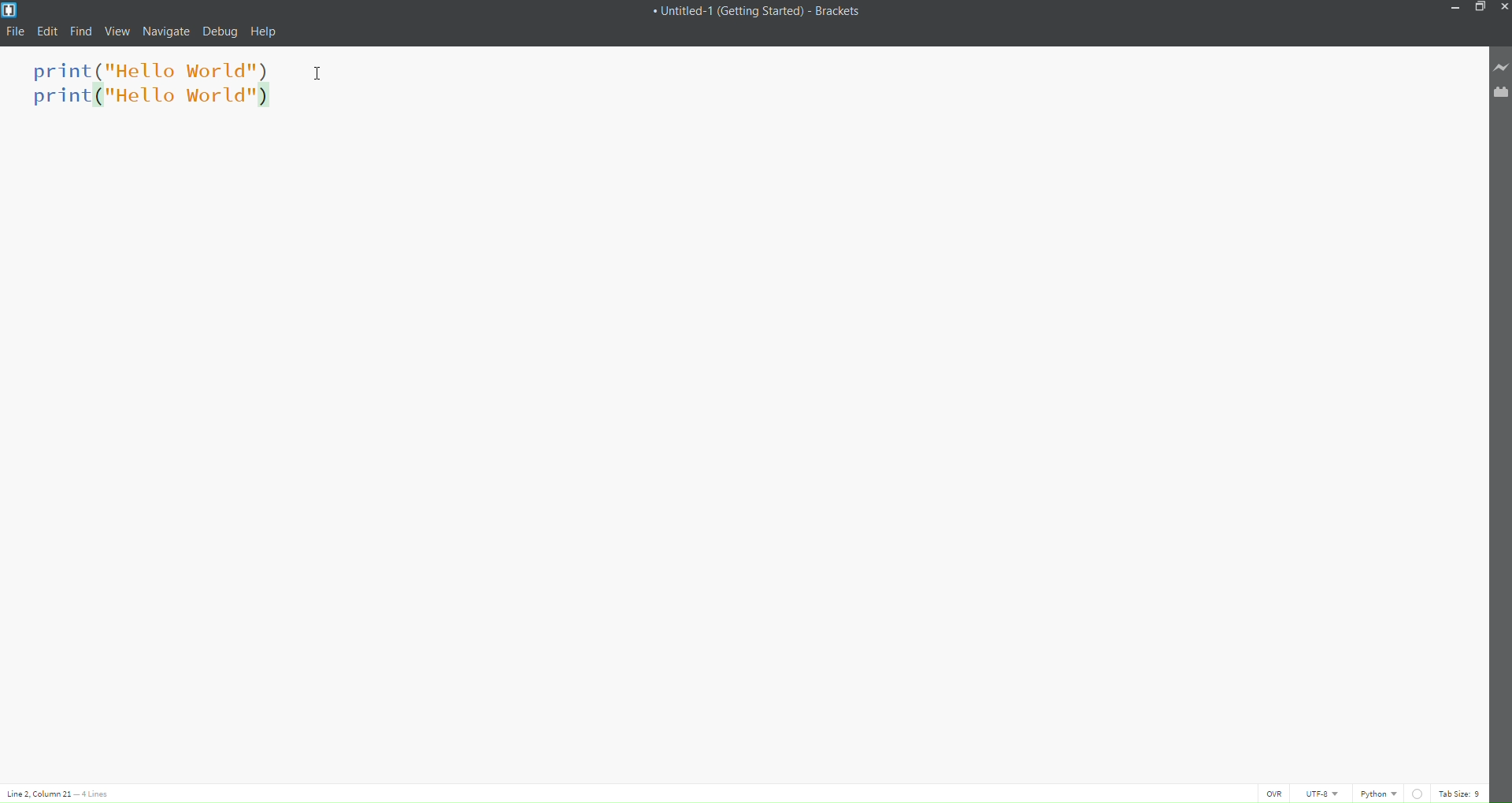 The height and width of the screenshot is (803, 1512). Describe the element at coordinates (60, 794) in the screenshot. I see `lines and columns` at that location.